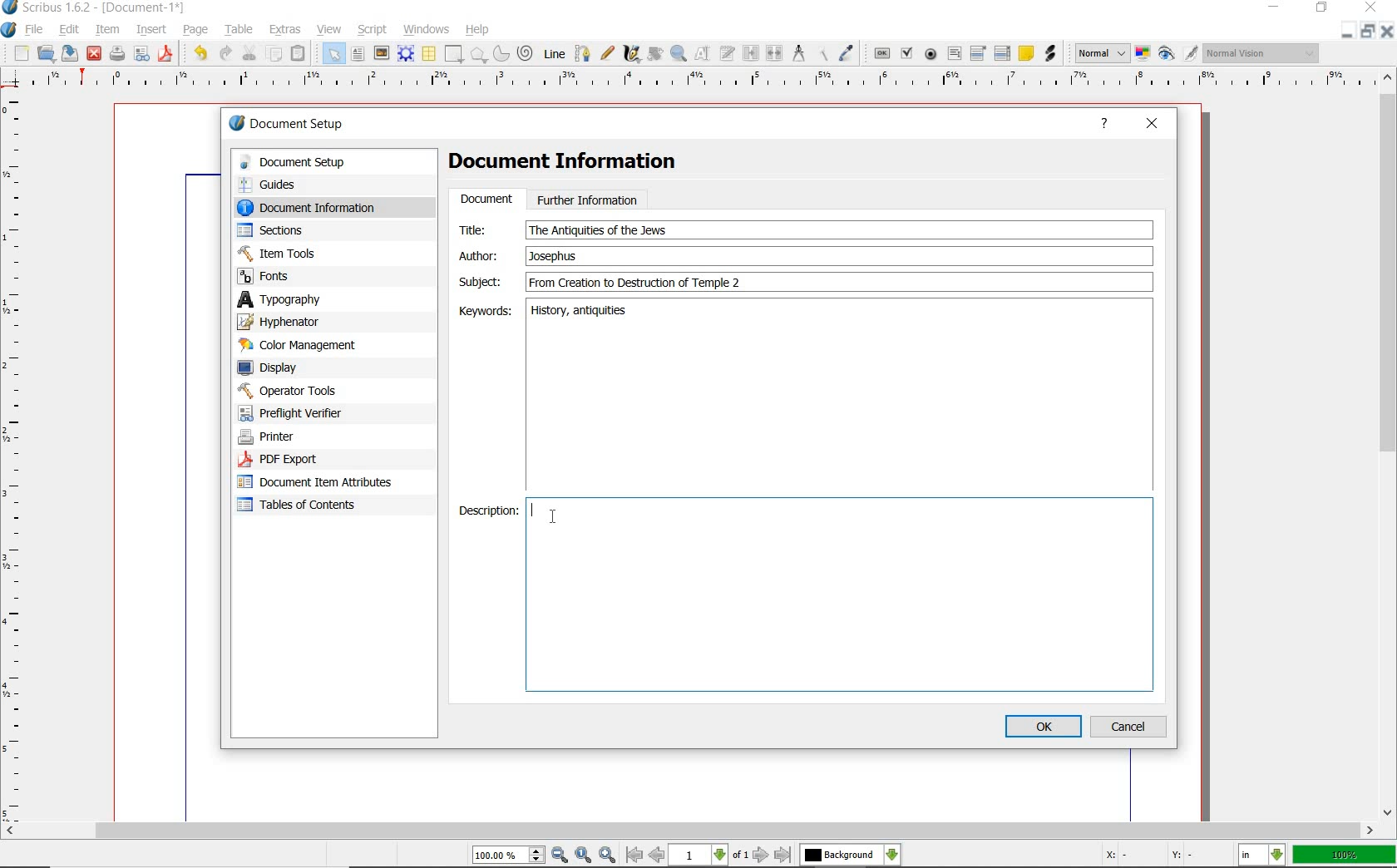 The height and width of the screenshot is (868, 1397). I want to click on script, so click(373, 30).